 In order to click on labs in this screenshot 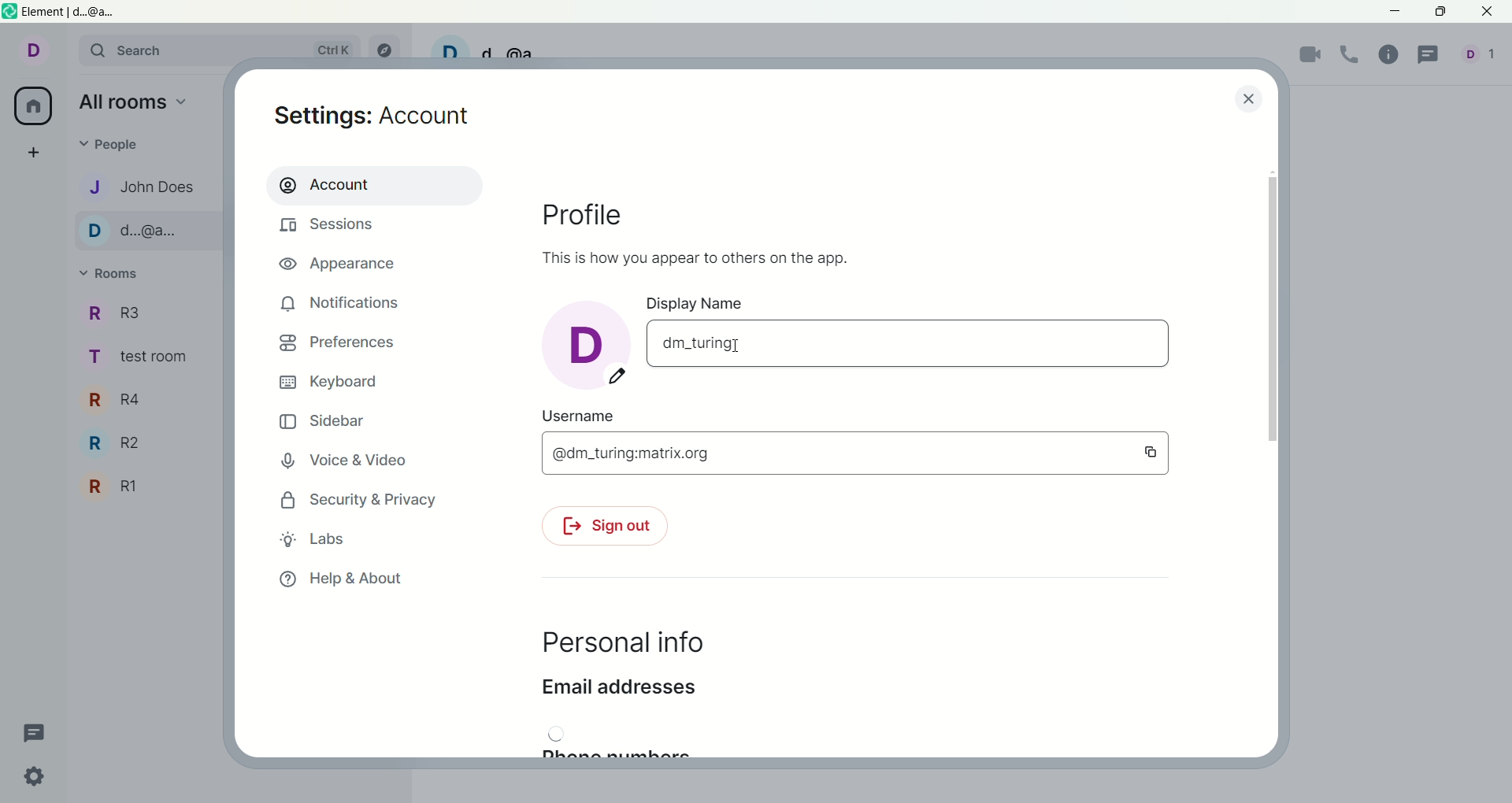, I will do `click(314, 538)`.